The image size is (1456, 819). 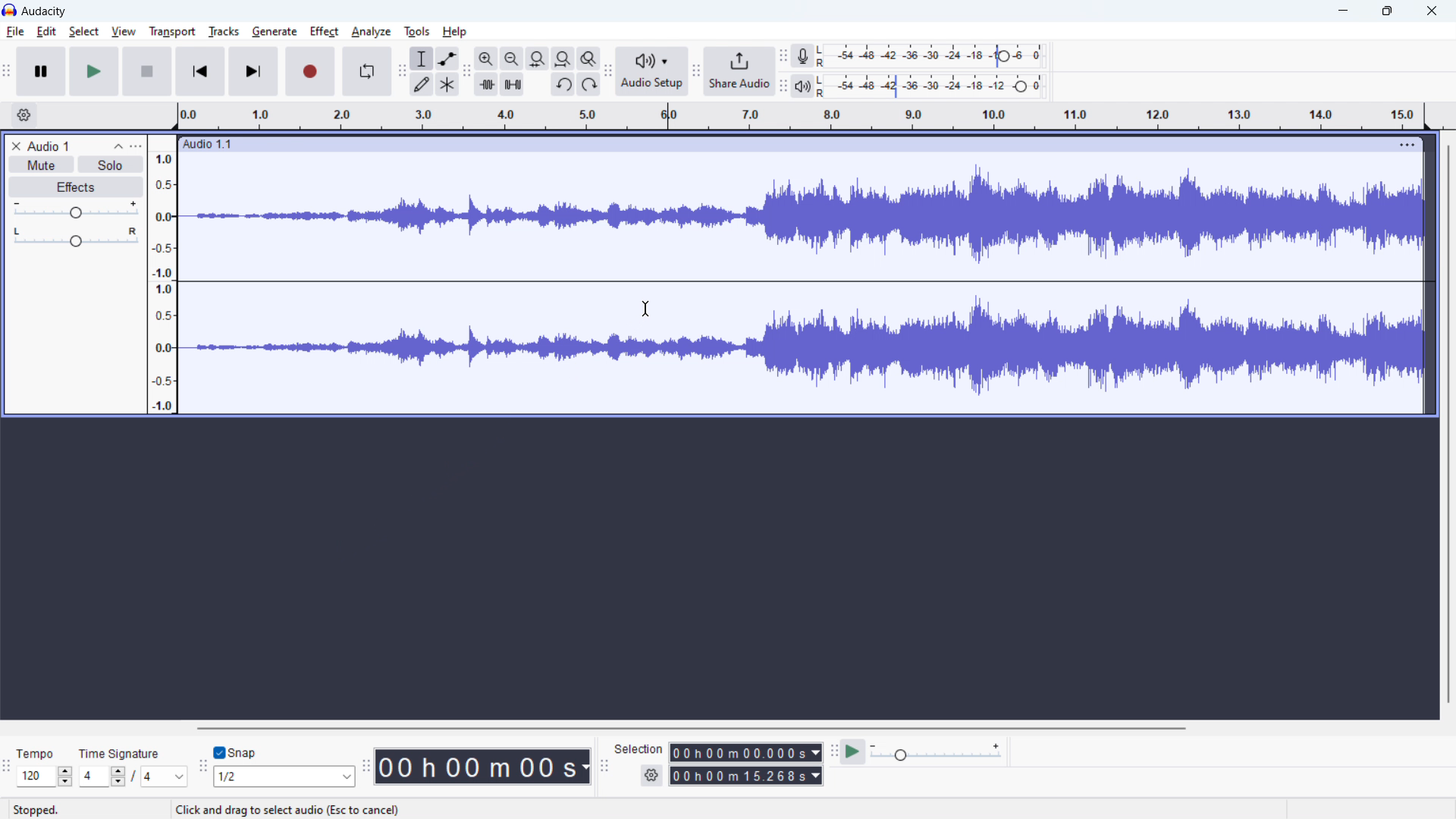 What do you see at coordinates (121, 750) in the screenshot?
I see `Time Signature` at bounding box center [121, 750].